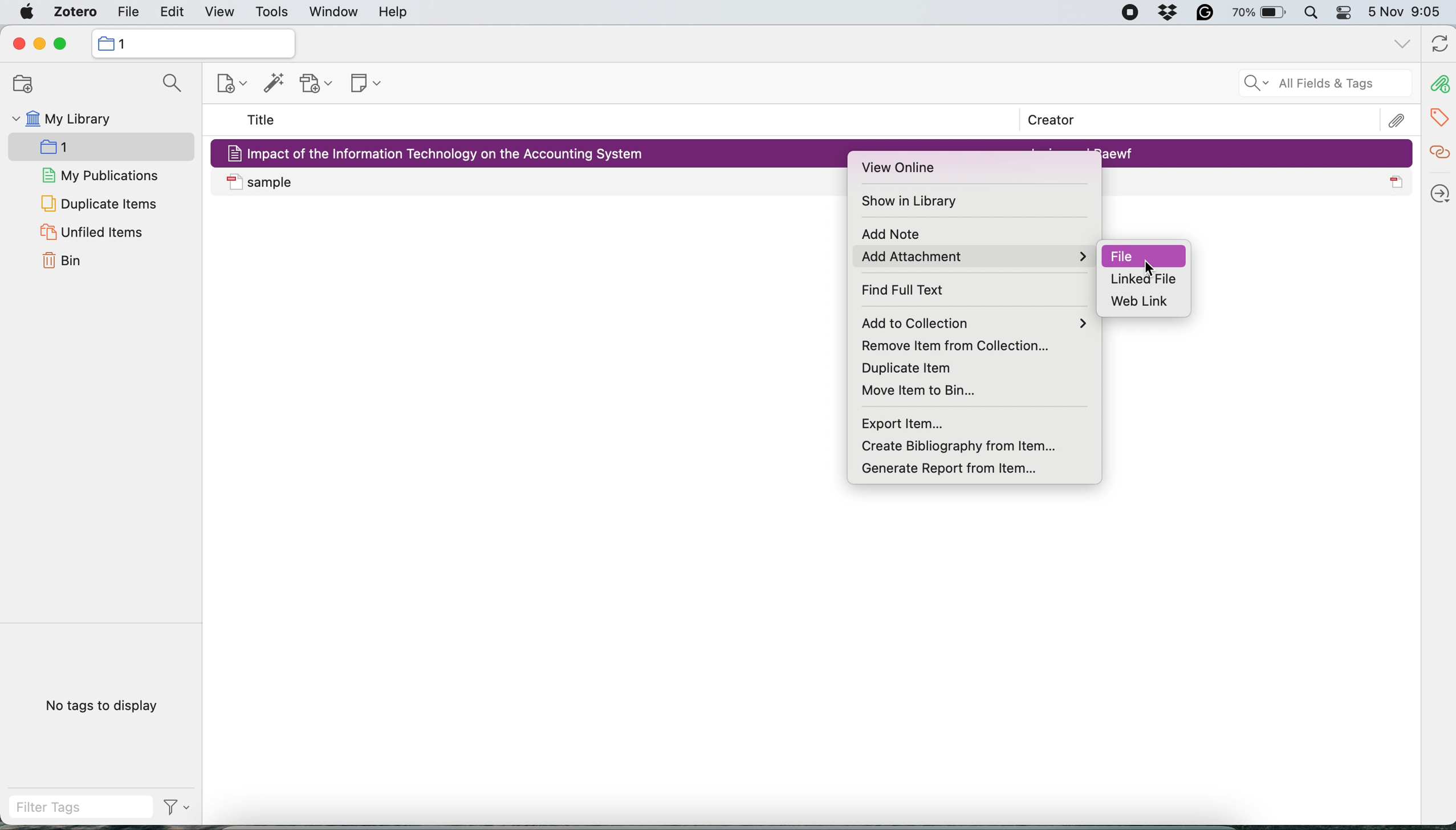  I want to click on tools, so click(271, 13).